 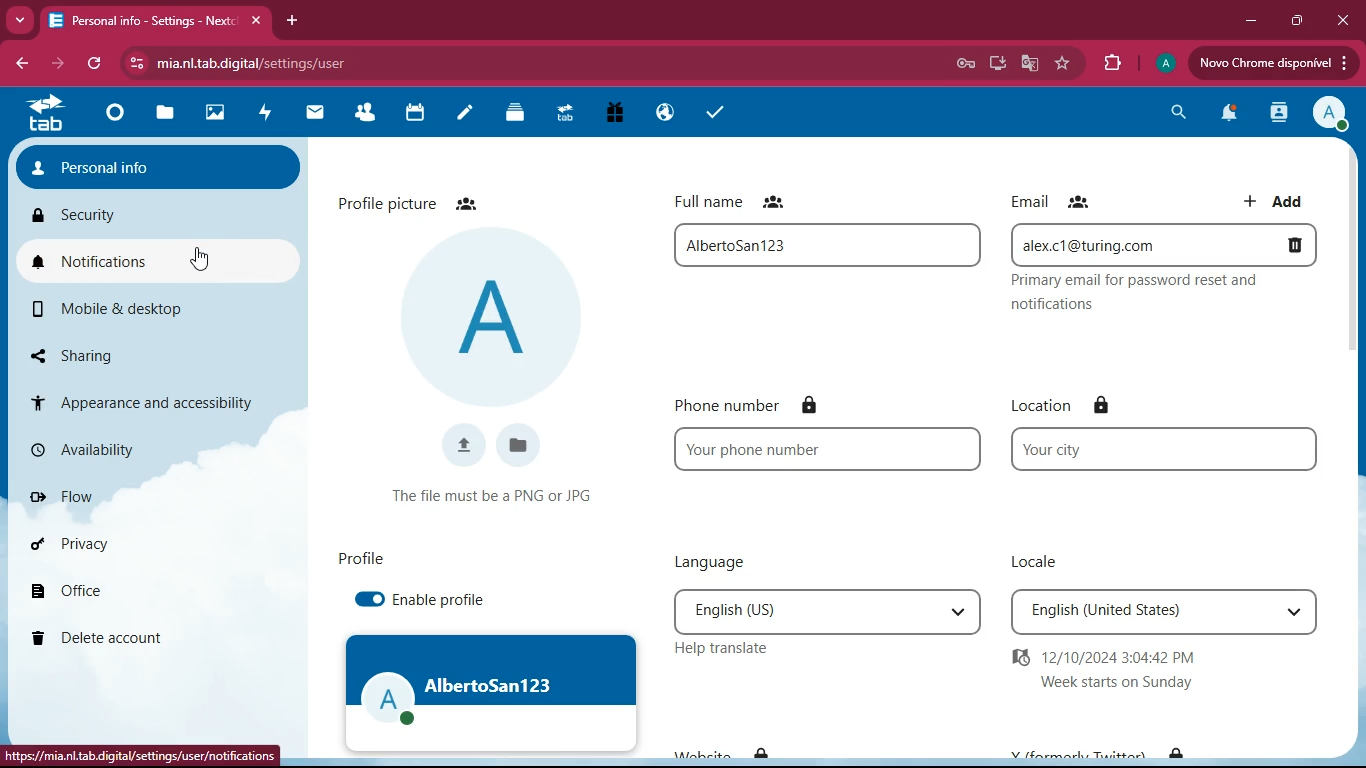 I want to click on files, so click(x=514, y=444).